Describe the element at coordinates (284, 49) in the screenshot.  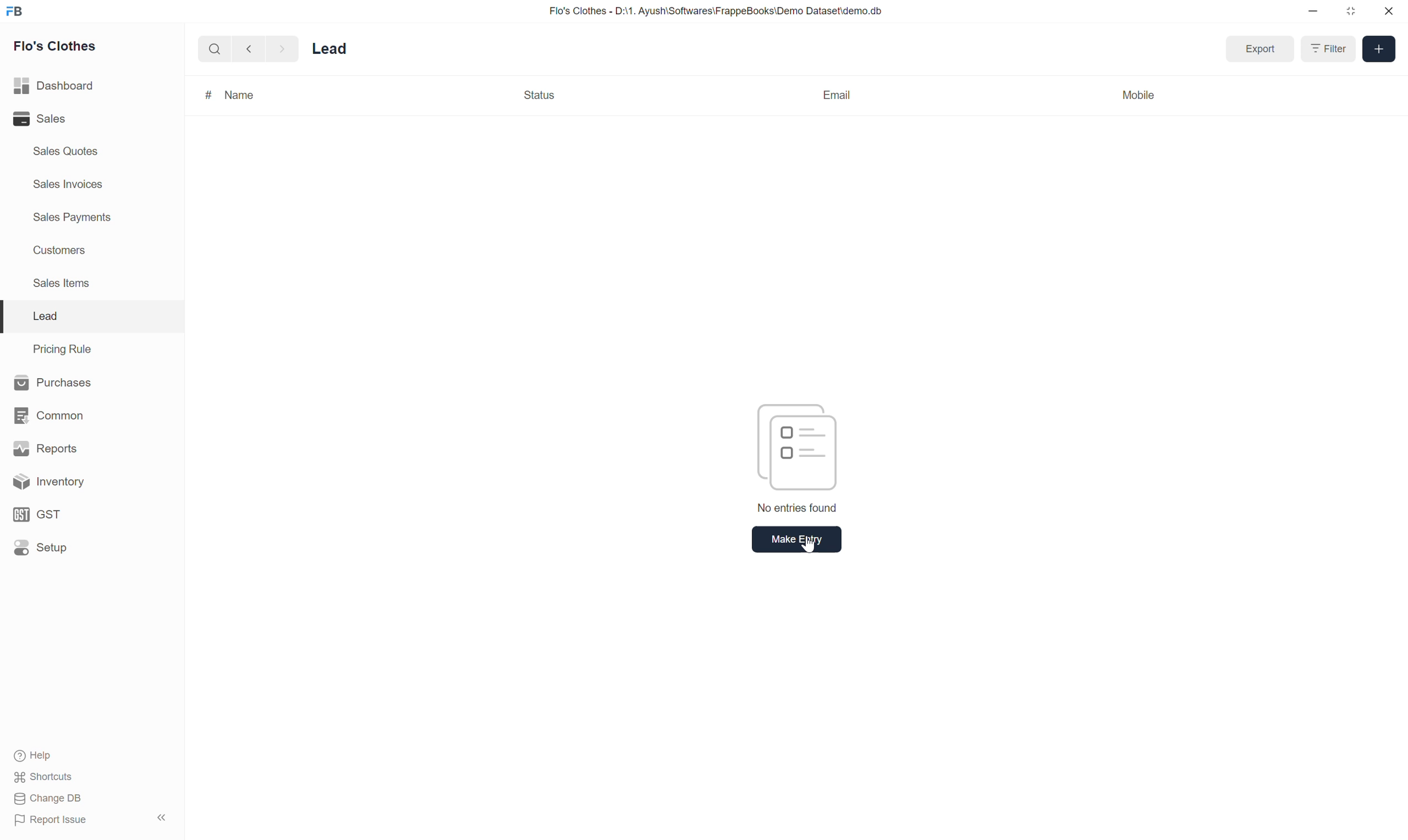
I see `FORWARD` at that location.